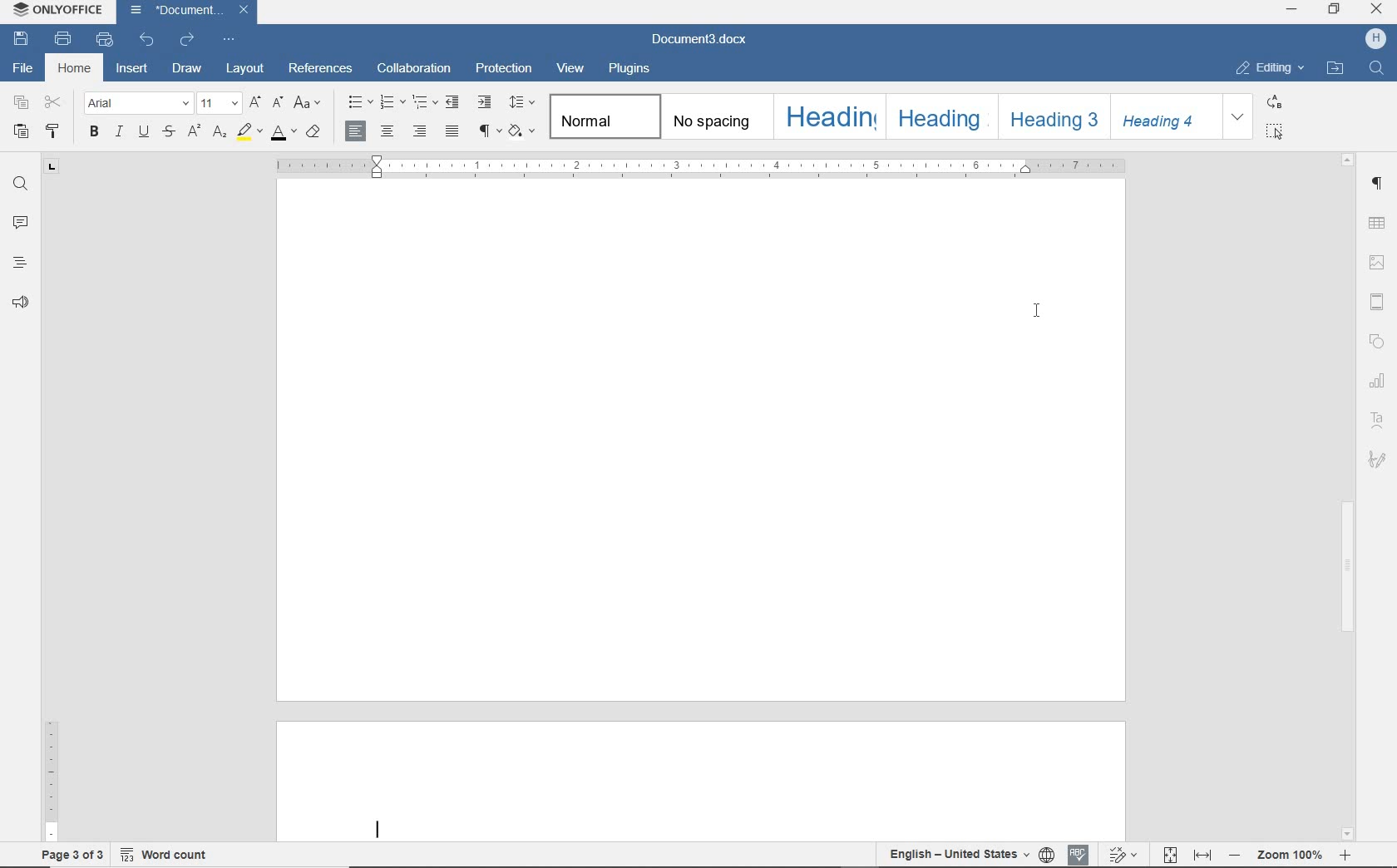 The image size is (1397, 868). What do you see at coordinates (1293, 11) in the screenshot?
I see `MINIMIZE` at bounding box center [1293, 11].